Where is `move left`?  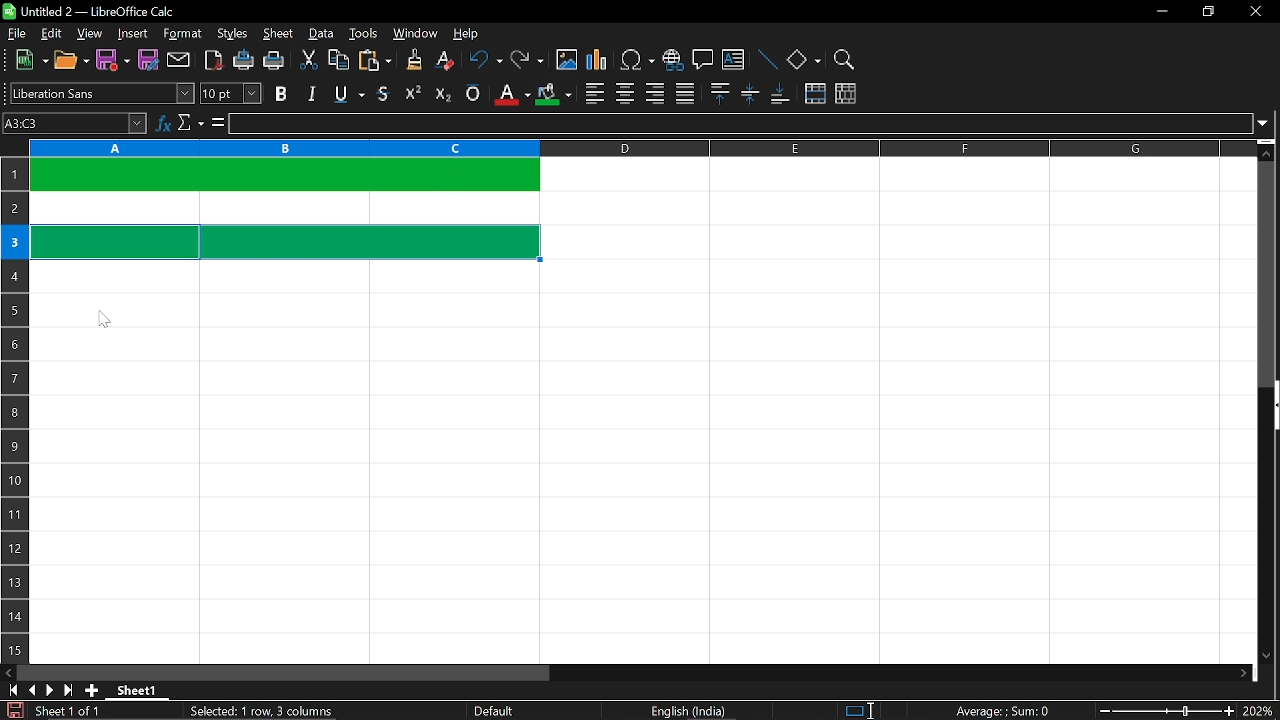 move left is located at coordinates (8, 673).